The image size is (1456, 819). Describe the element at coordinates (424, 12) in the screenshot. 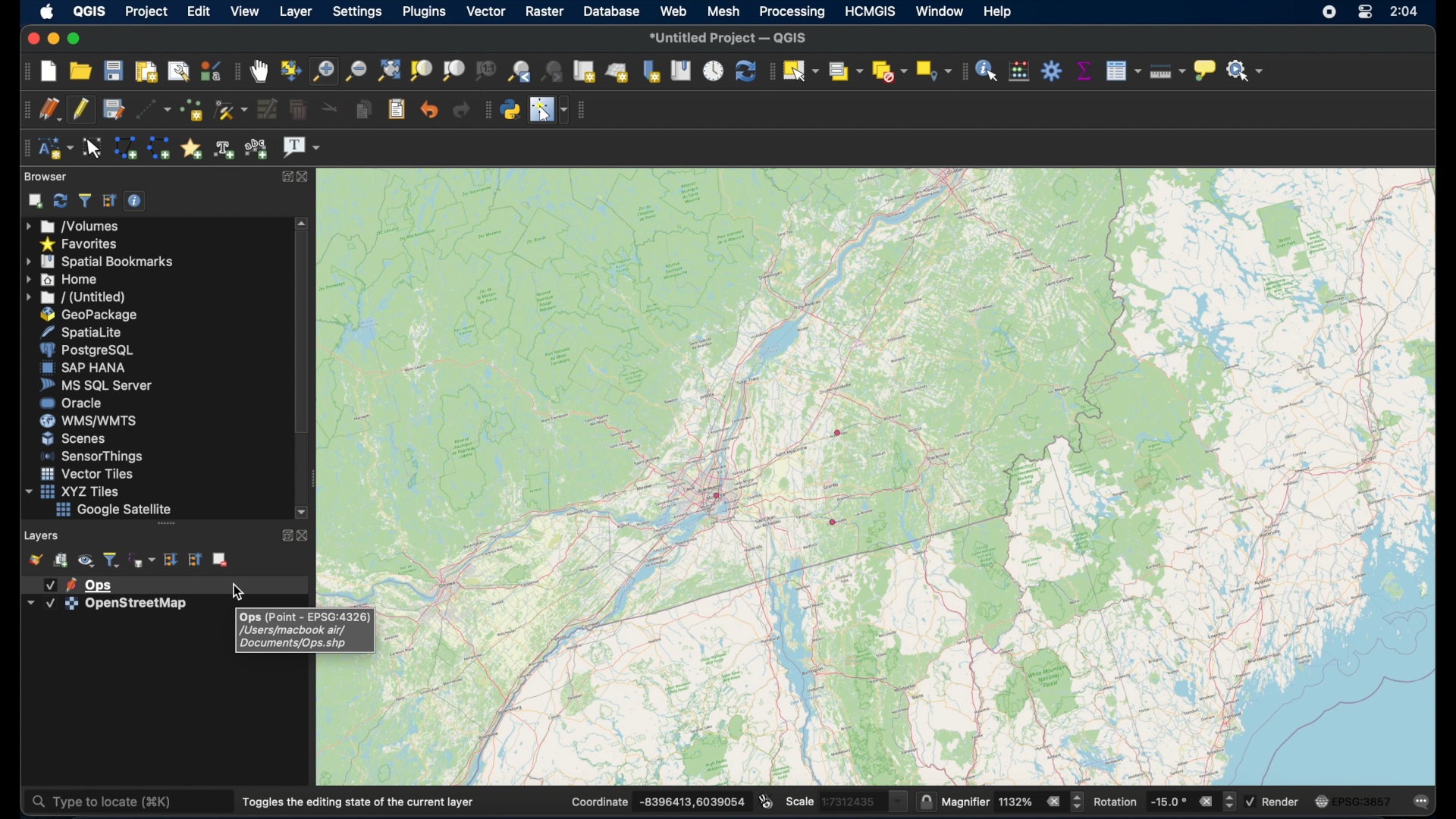

I see `plugins` at that location.